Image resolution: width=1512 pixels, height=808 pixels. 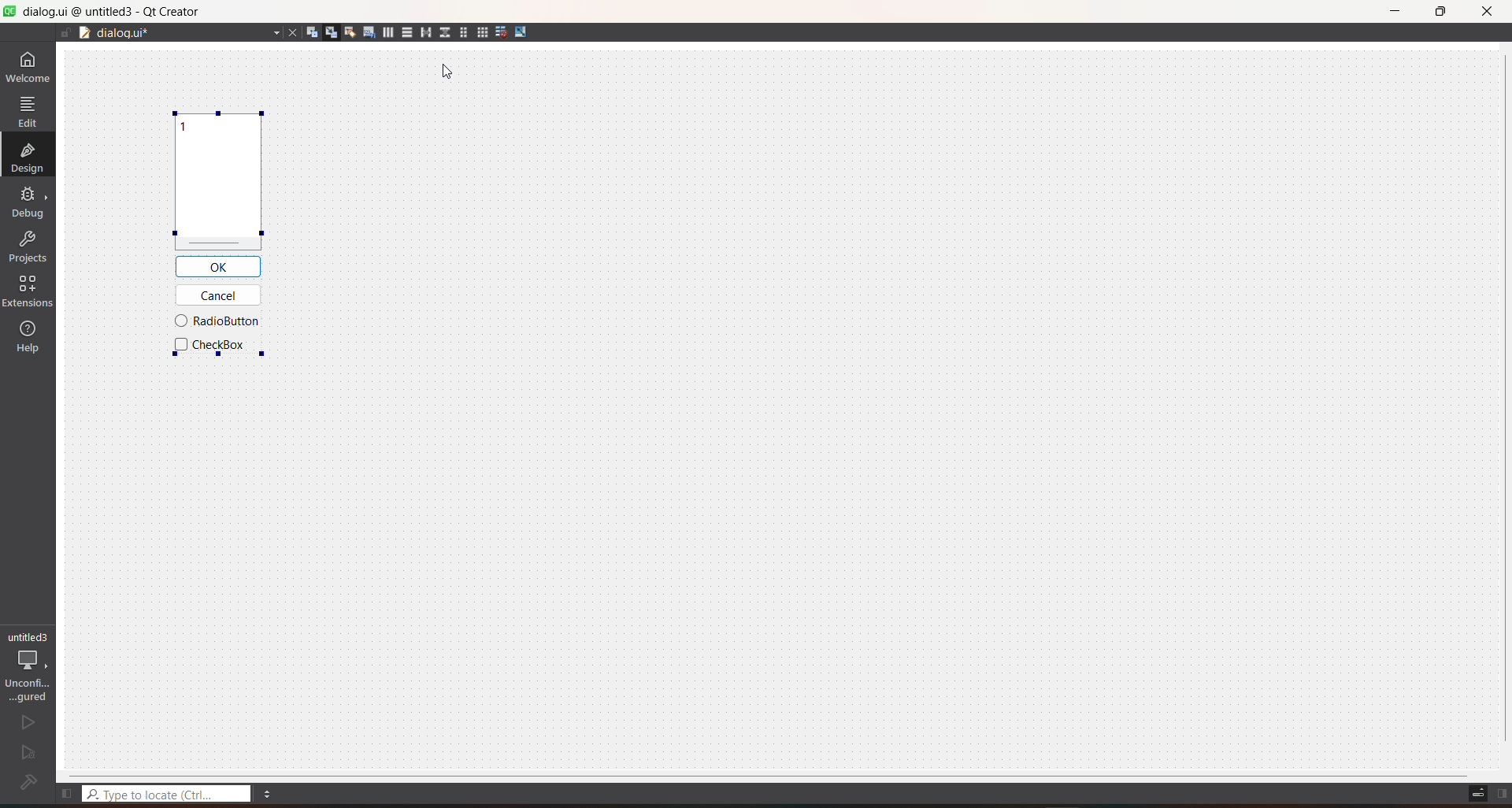 What do you see at coordinates (65, 35) in the screenshot?
I see `file is writable` at bounding box center [65, 35].